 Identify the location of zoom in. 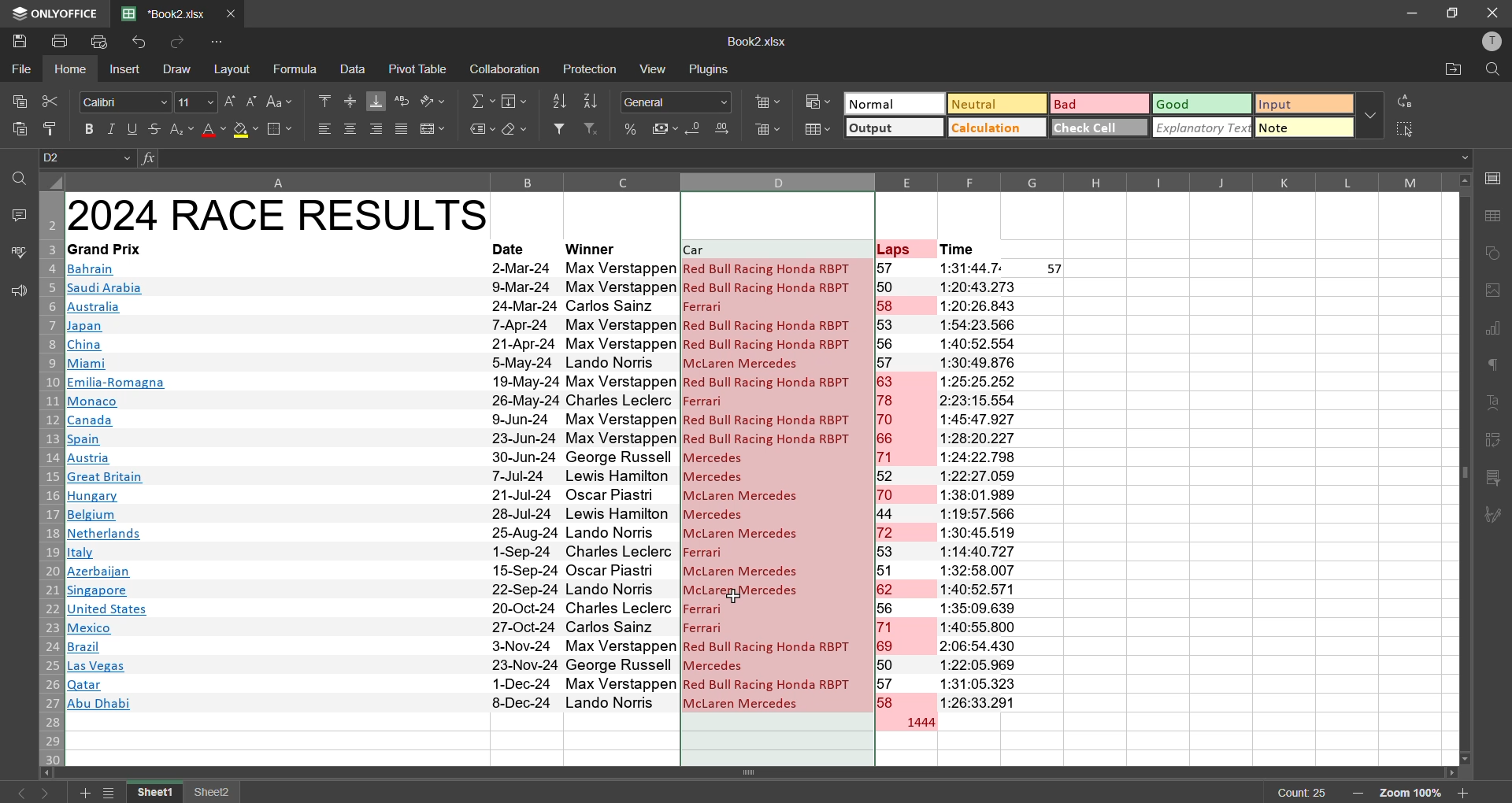
(1356, 794).